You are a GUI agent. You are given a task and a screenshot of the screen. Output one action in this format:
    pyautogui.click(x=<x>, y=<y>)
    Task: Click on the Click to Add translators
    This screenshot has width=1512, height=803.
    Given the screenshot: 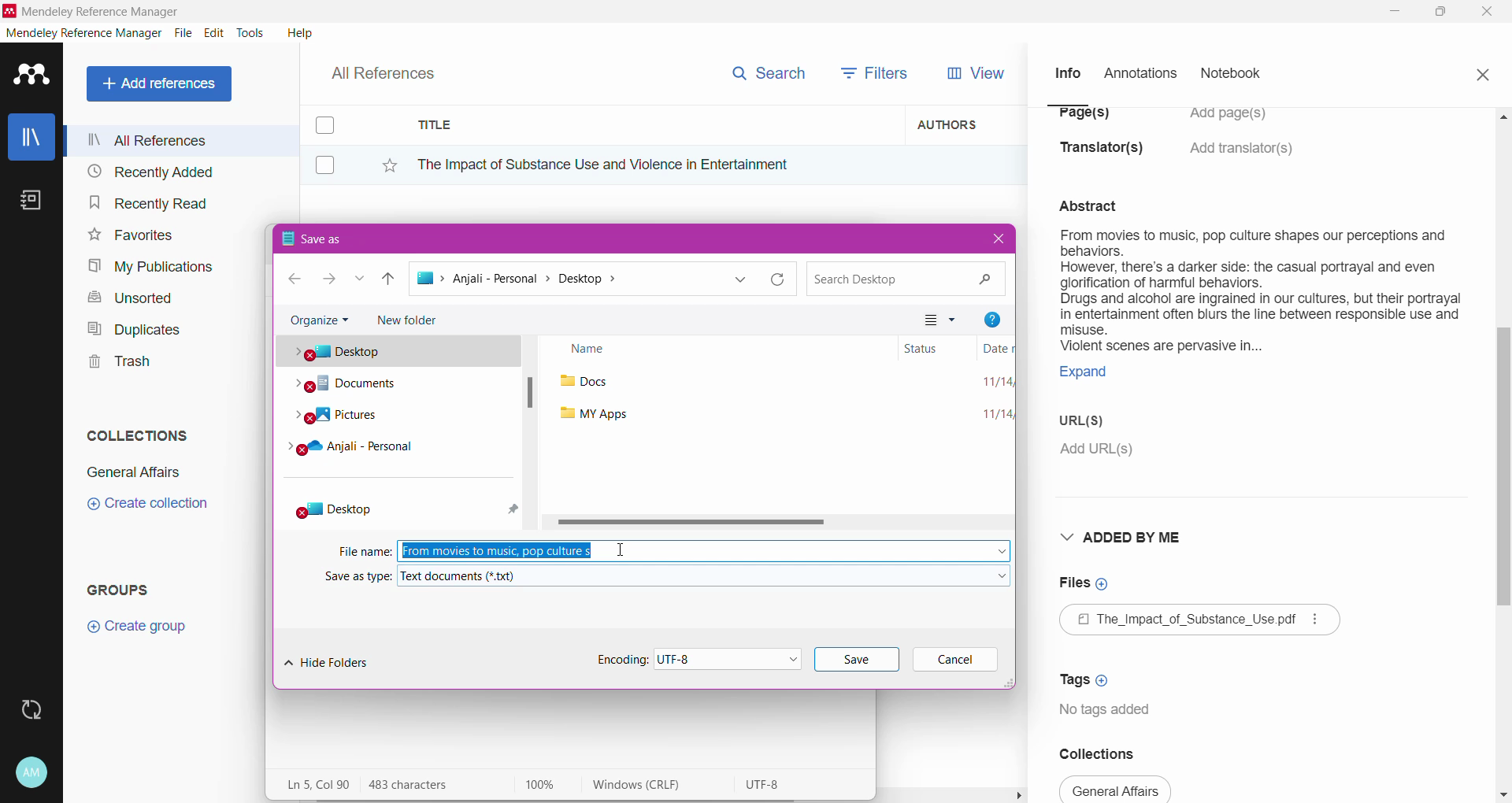 What is the action you would take?
    pyautogui.click(x=1243, y=157)
    